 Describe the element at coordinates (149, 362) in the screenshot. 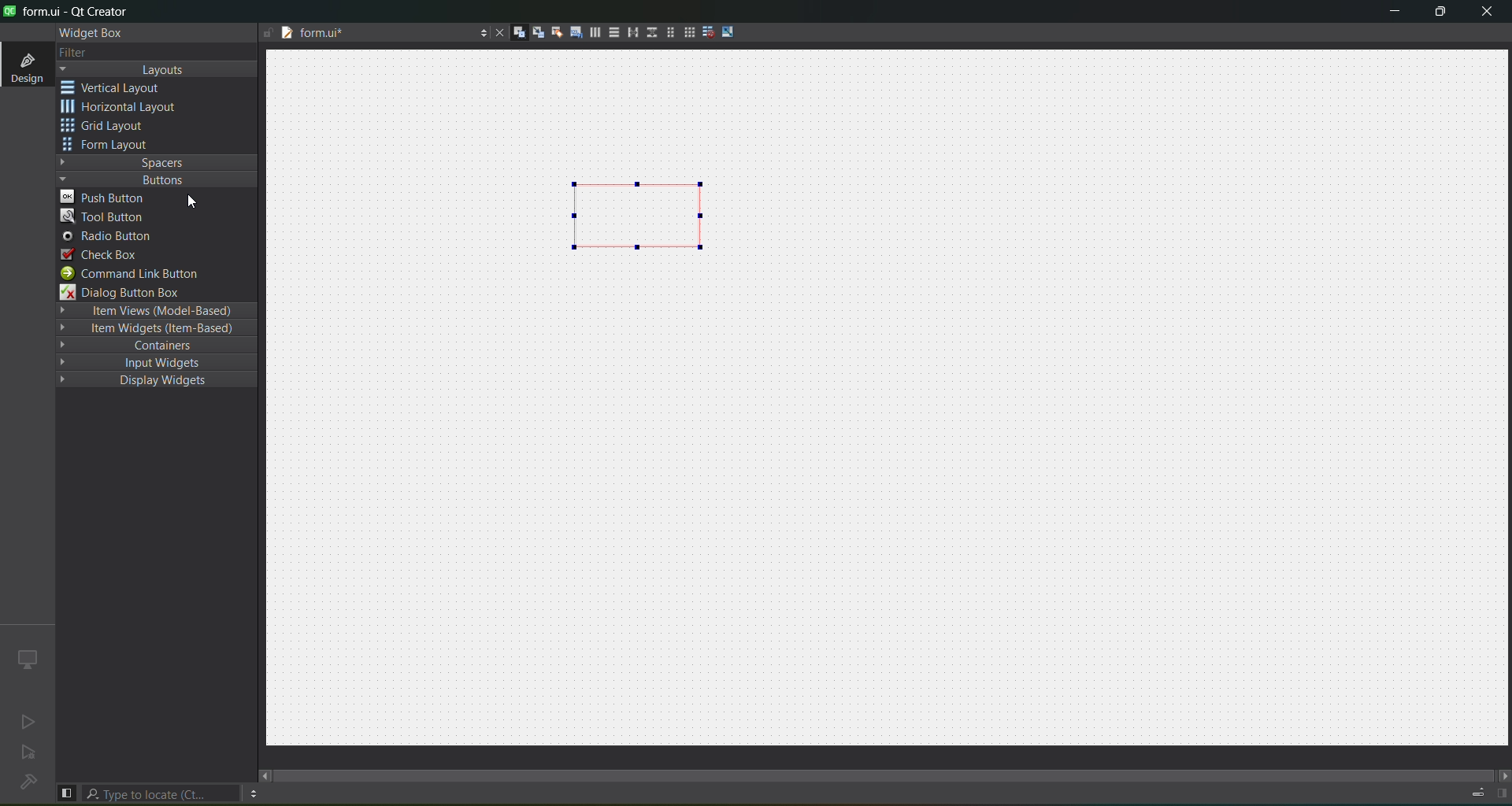

I see `input widgets` at that location.